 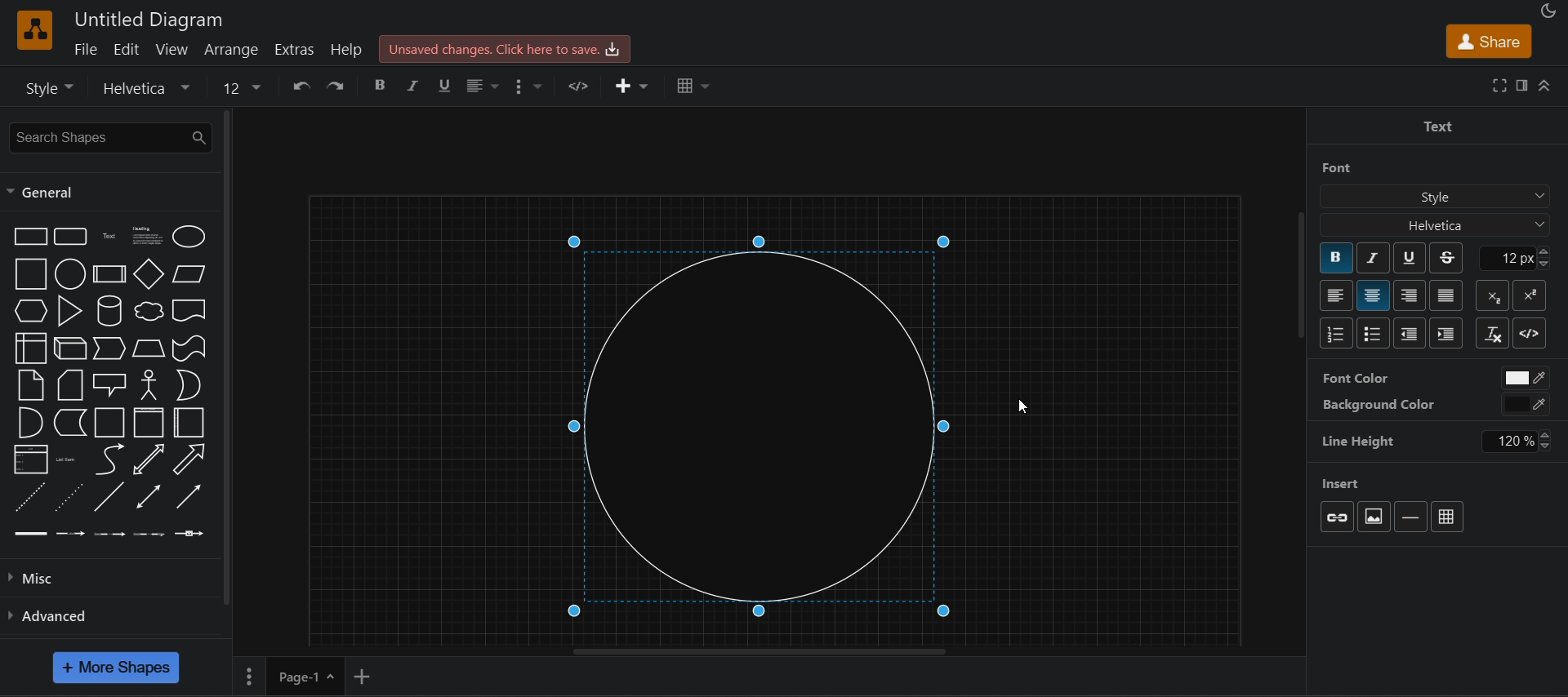 What do you see at coordinates (111, 499) in the screenshot?
I see `line` at bounding box center [111, 499].